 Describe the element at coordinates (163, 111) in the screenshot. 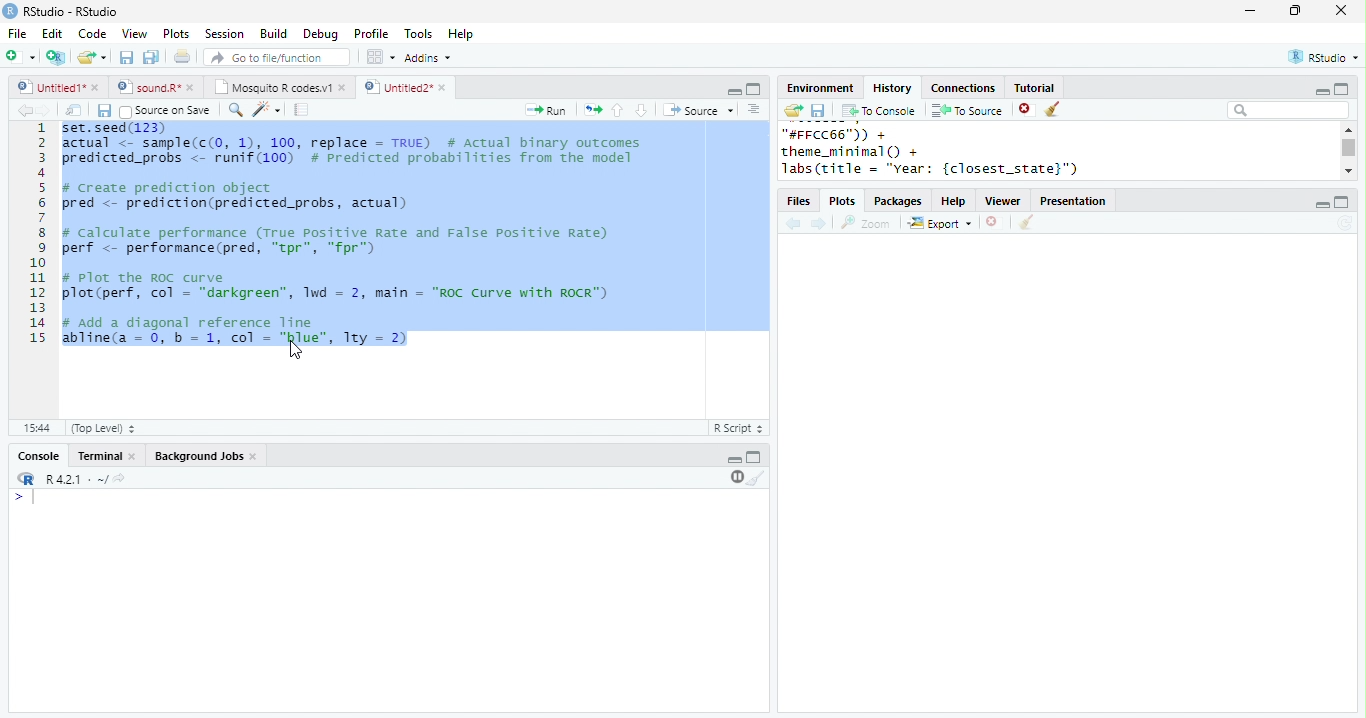

I see `Source on Save` at that location.